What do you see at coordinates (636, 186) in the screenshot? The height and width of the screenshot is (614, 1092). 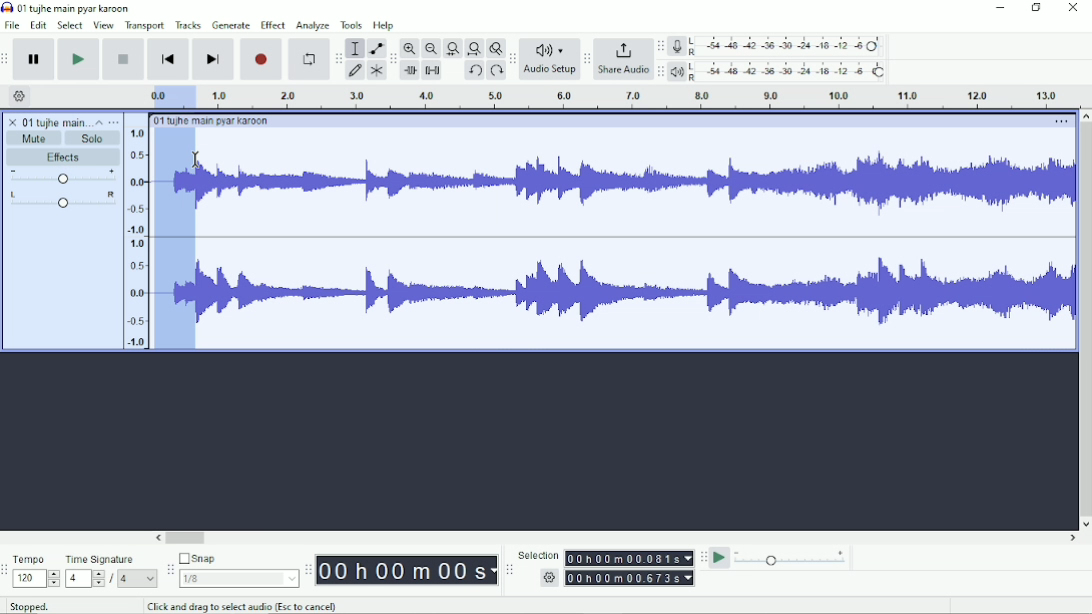 I see `Audio Waves` at bounding box center [636, 186].